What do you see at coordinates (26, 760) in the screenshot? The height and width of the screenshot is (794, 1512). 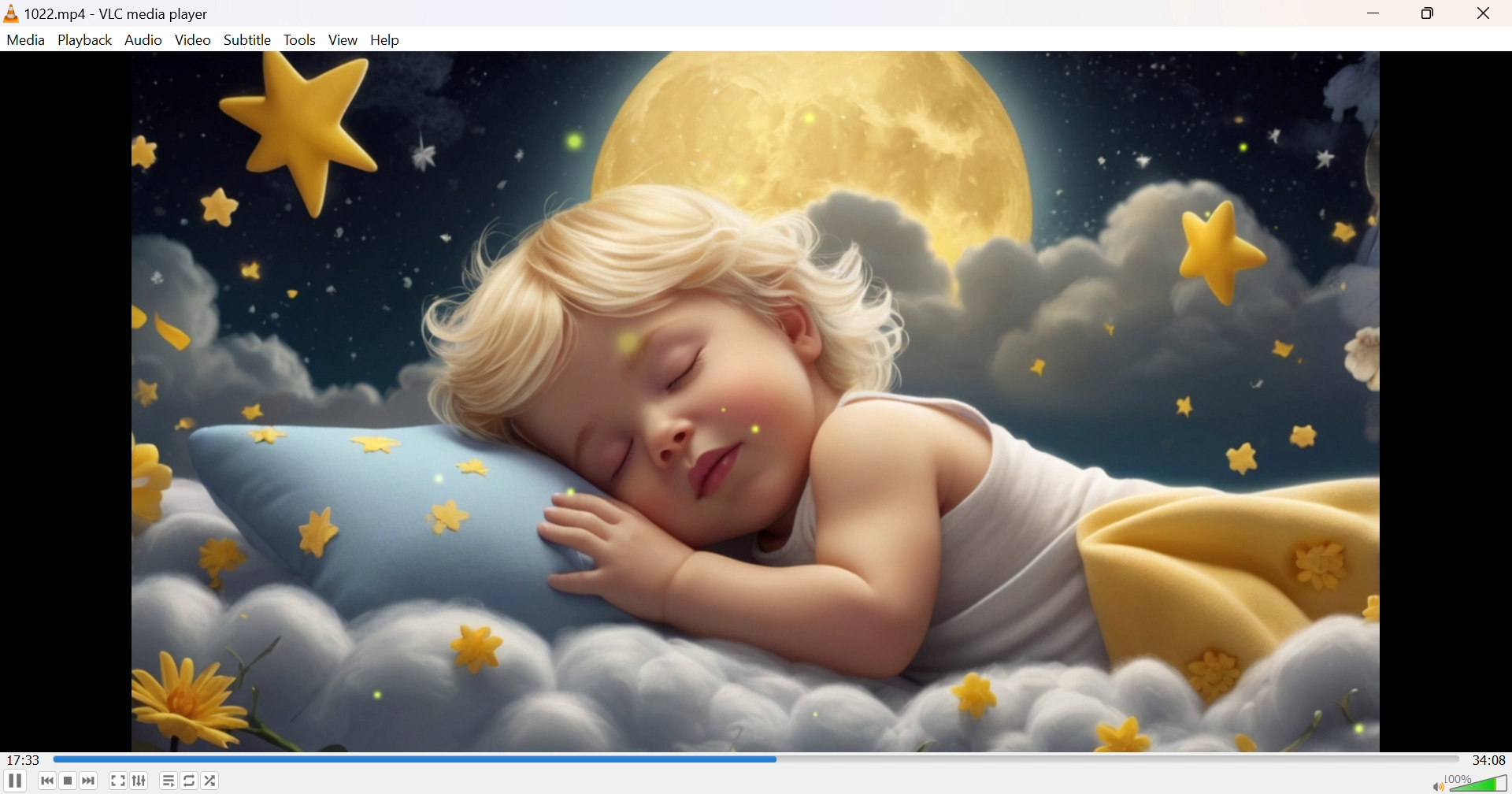 I see `17:33` at bounding box center [26, 760].